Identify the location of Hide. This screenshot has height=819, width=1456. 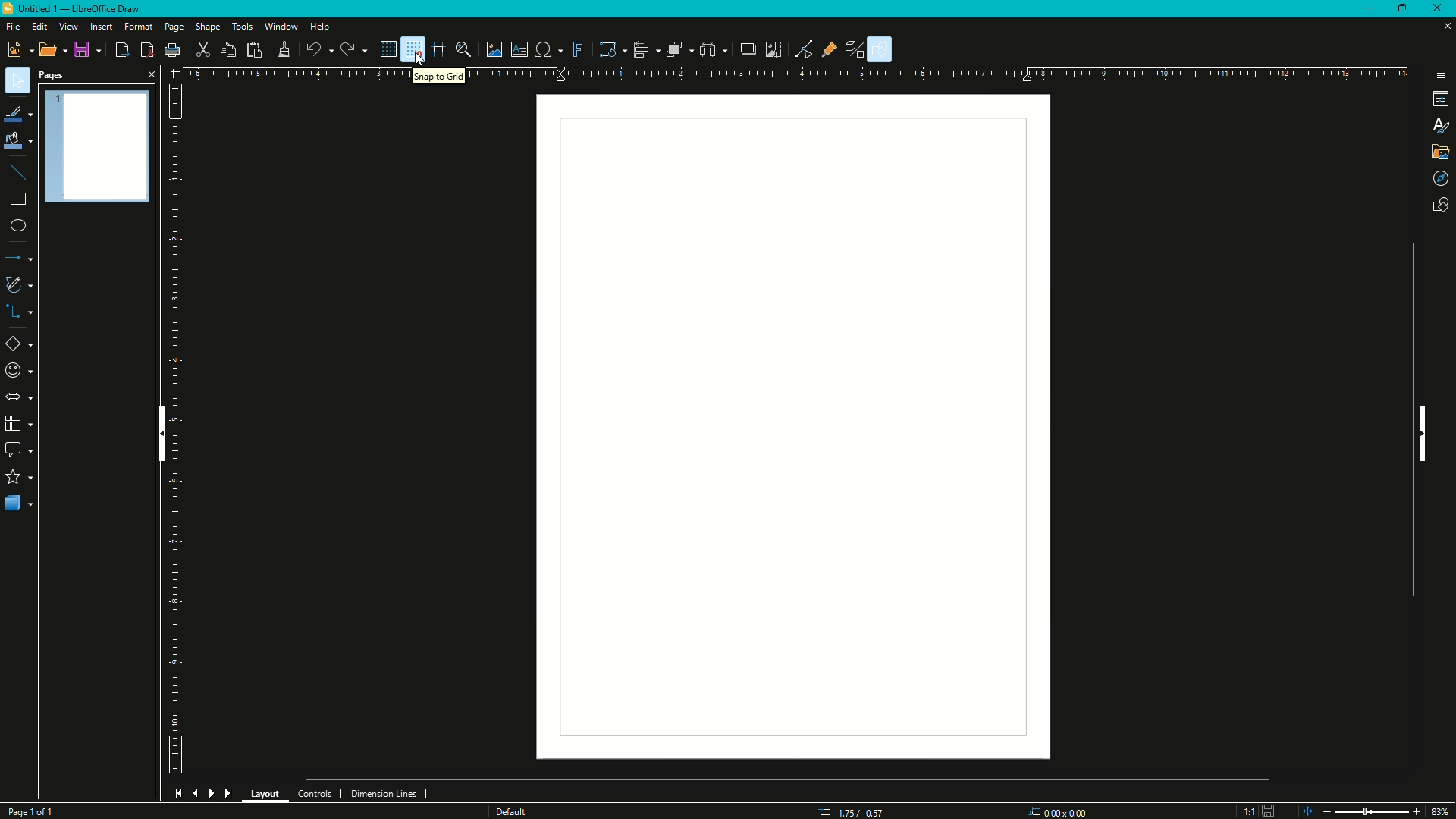
(1426, 437).